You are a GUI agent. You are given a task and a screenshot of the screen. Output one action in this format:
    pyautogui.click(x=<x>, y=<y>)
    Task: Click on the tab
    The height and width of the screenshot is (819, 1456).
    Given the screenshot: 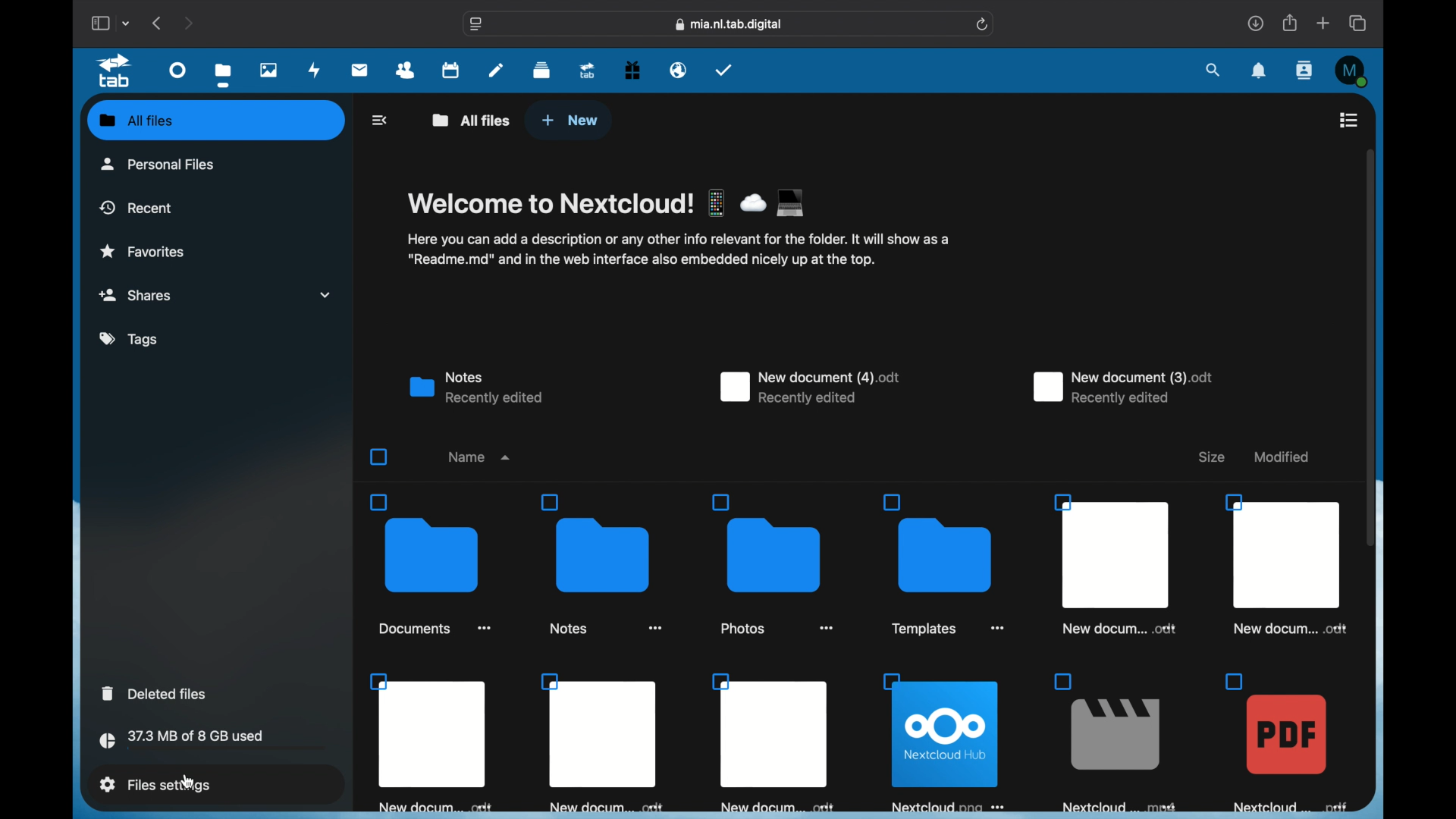 What is the action you would take?
    pyautogui.click(x=114, y=71)
    